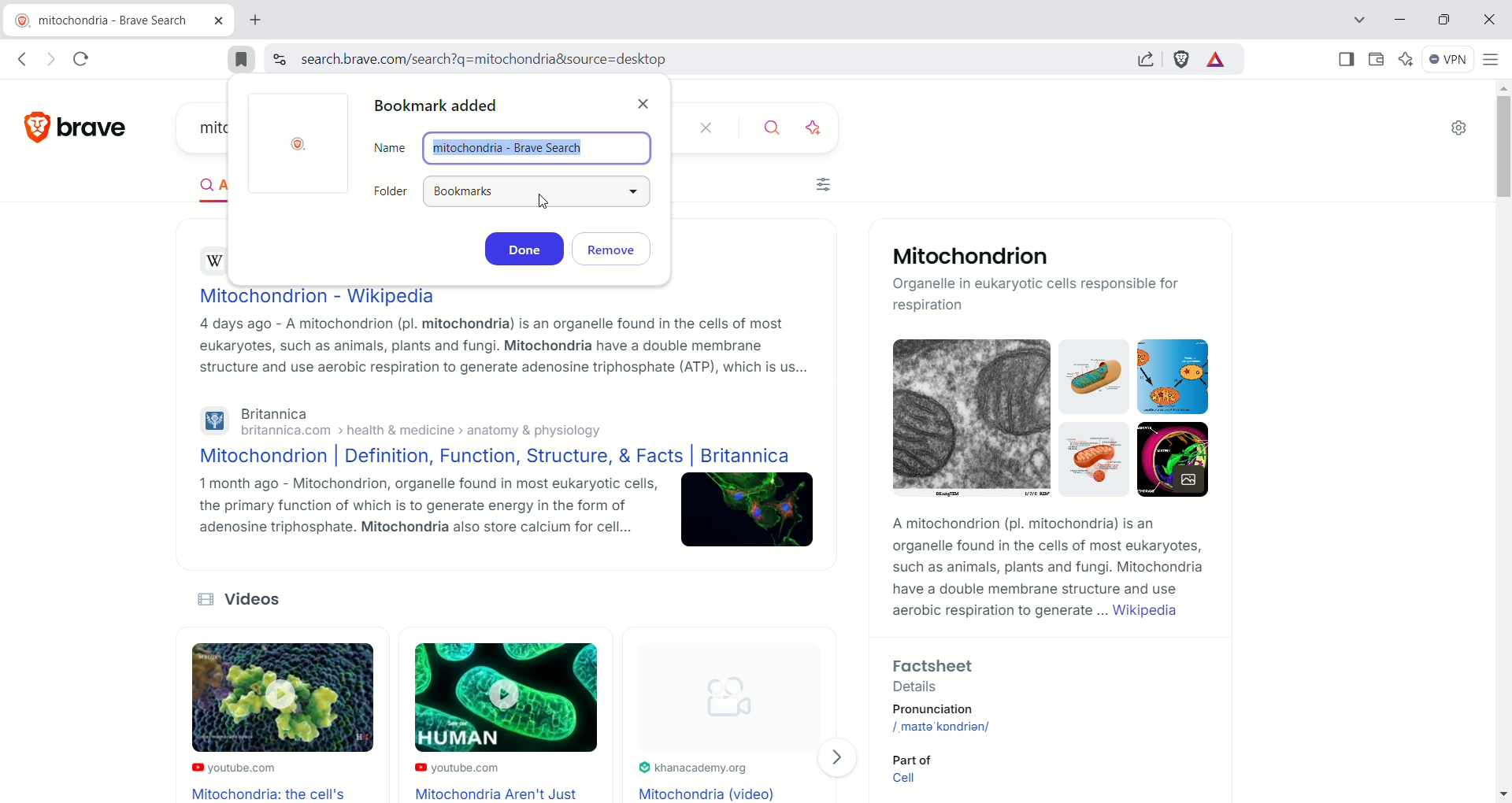  Describe the element at coordinates (512, 194) in the screenshot. I see `folder` at that location.